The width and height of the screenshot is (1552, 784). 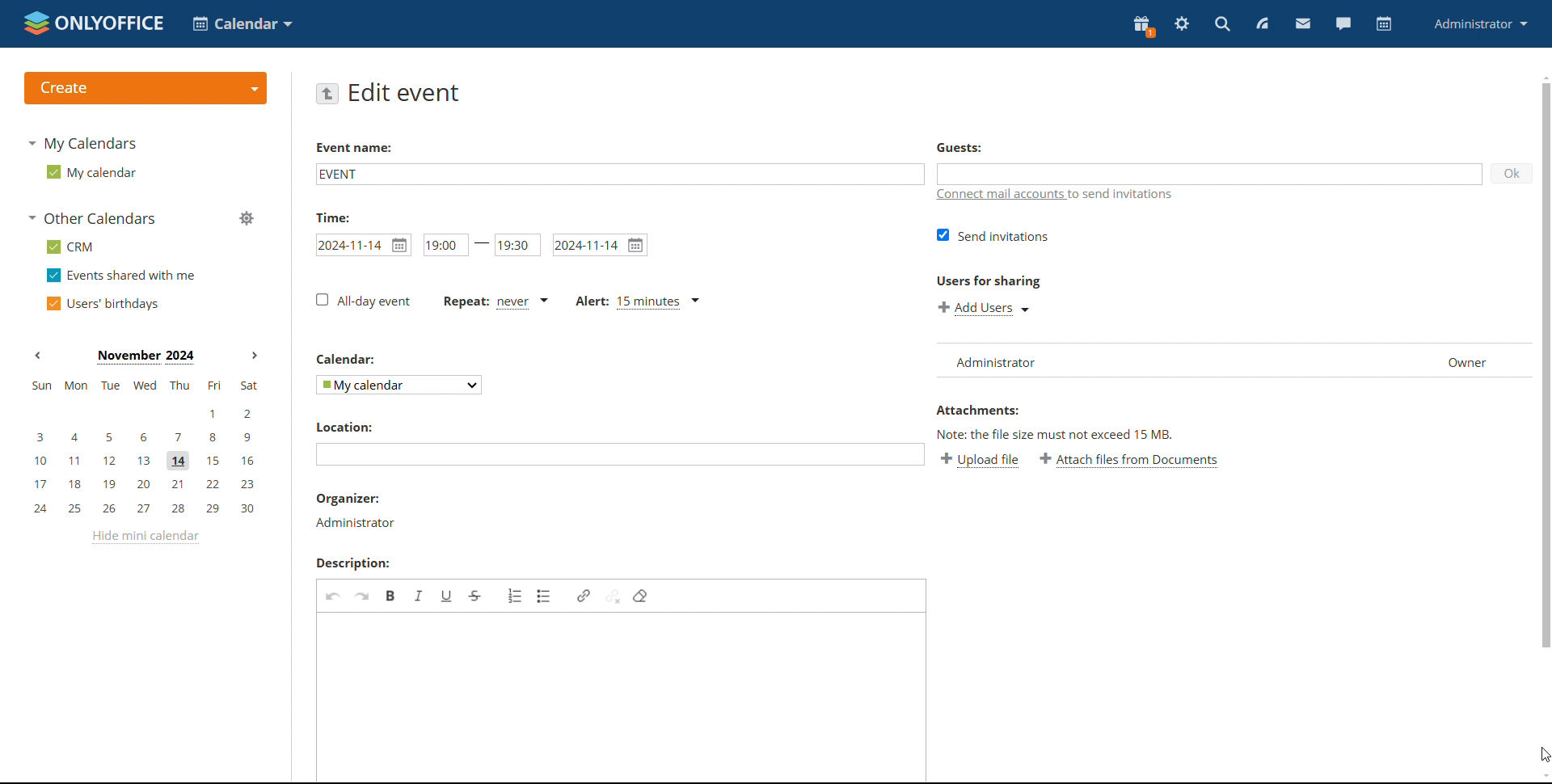 What do you see at coordinates (351, 426) in the screenshot?
I see `location:` at bounding box center [351, 426].